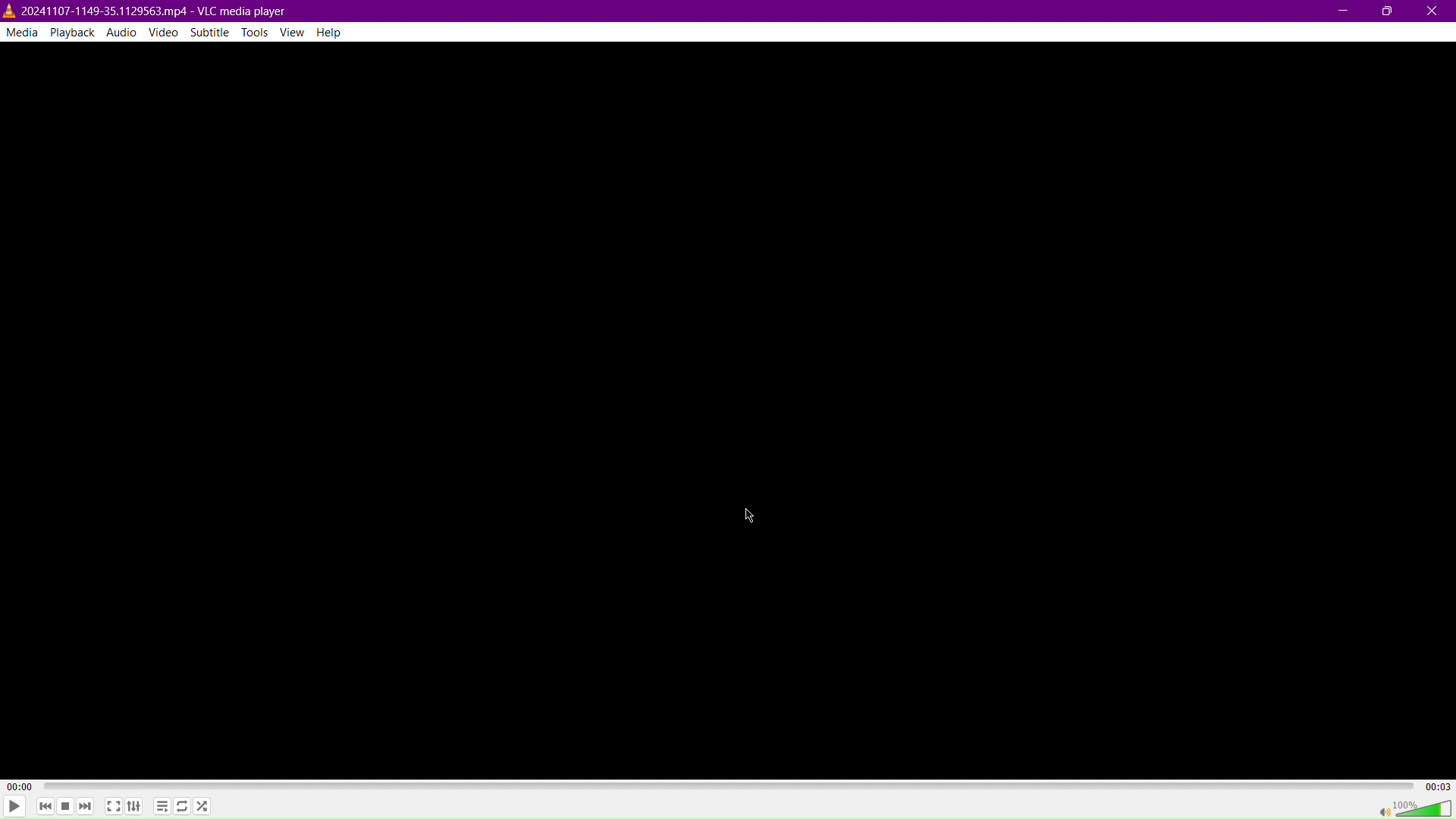 Image resolution: width=1456 pixels, height=819 pixels. What do you see at coordinates (21, 31) in the screenshot?
I see `Media` at bounding box center [21, 31].